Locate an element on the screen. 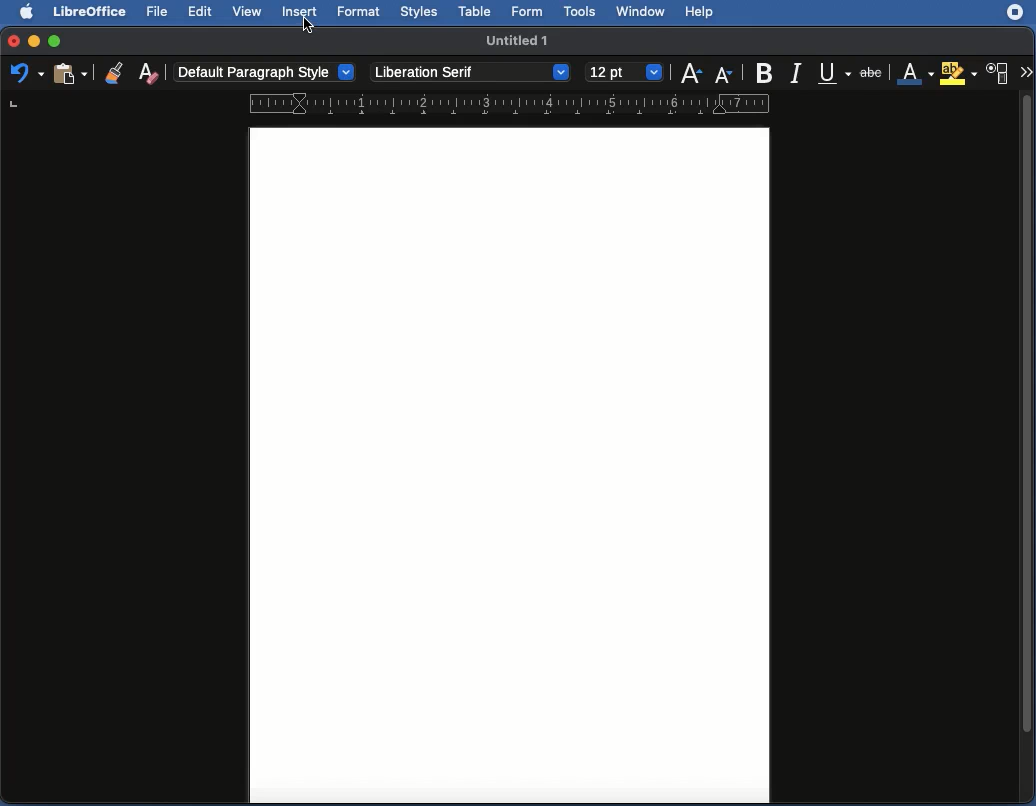 This screenshot has height=806, width=1036. Scroll is located at coordinates (1028, 449).